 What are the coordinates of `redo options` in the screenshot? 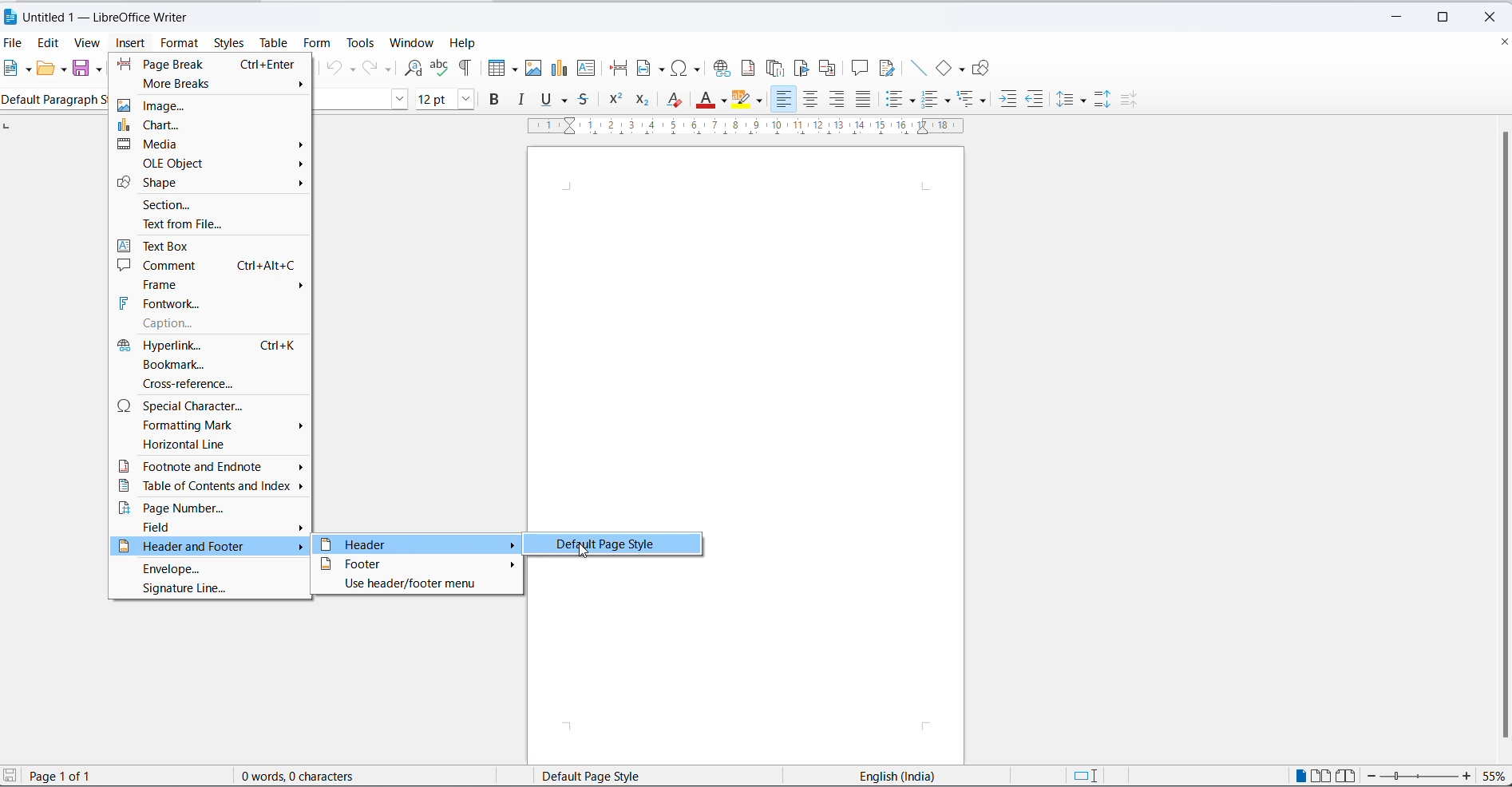 It's located at (389, 69).